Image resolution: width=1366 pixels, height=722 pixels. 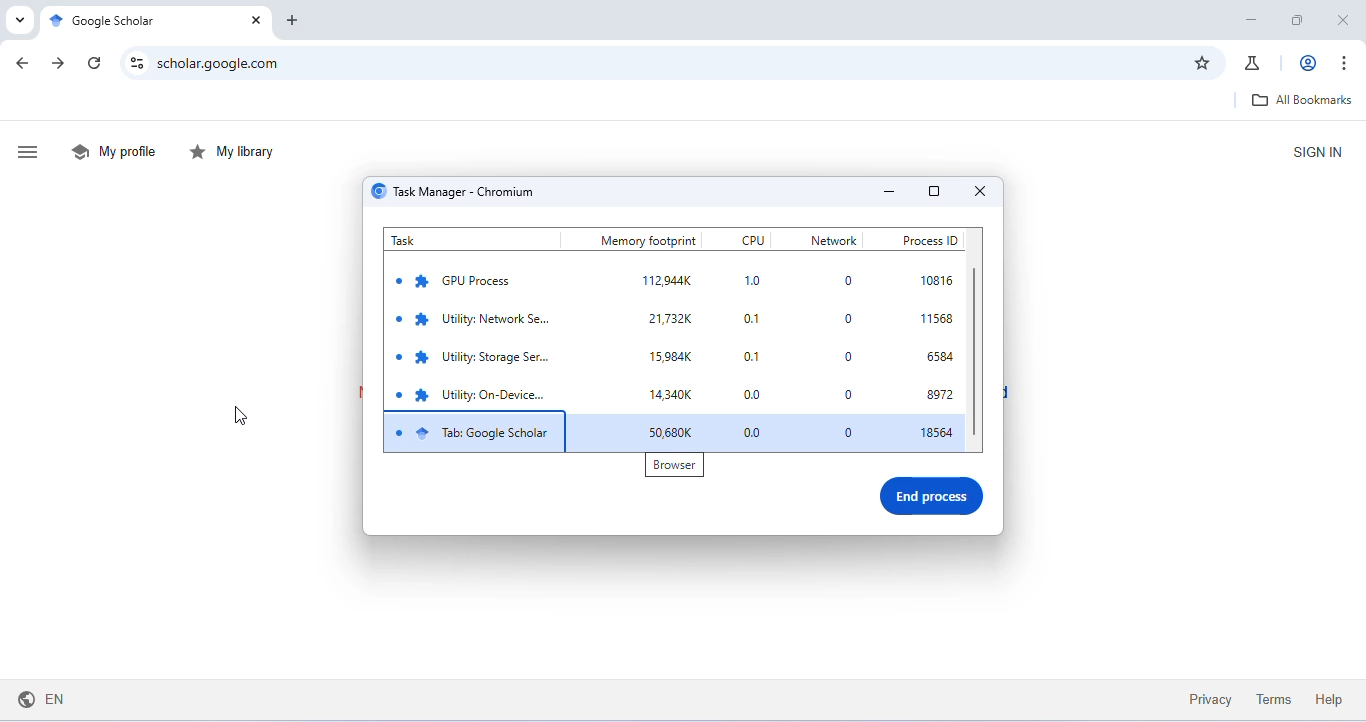 What do you see at coordinates (254, 20) in the screenshot?
I see `close` at bounding box center [254, 20].